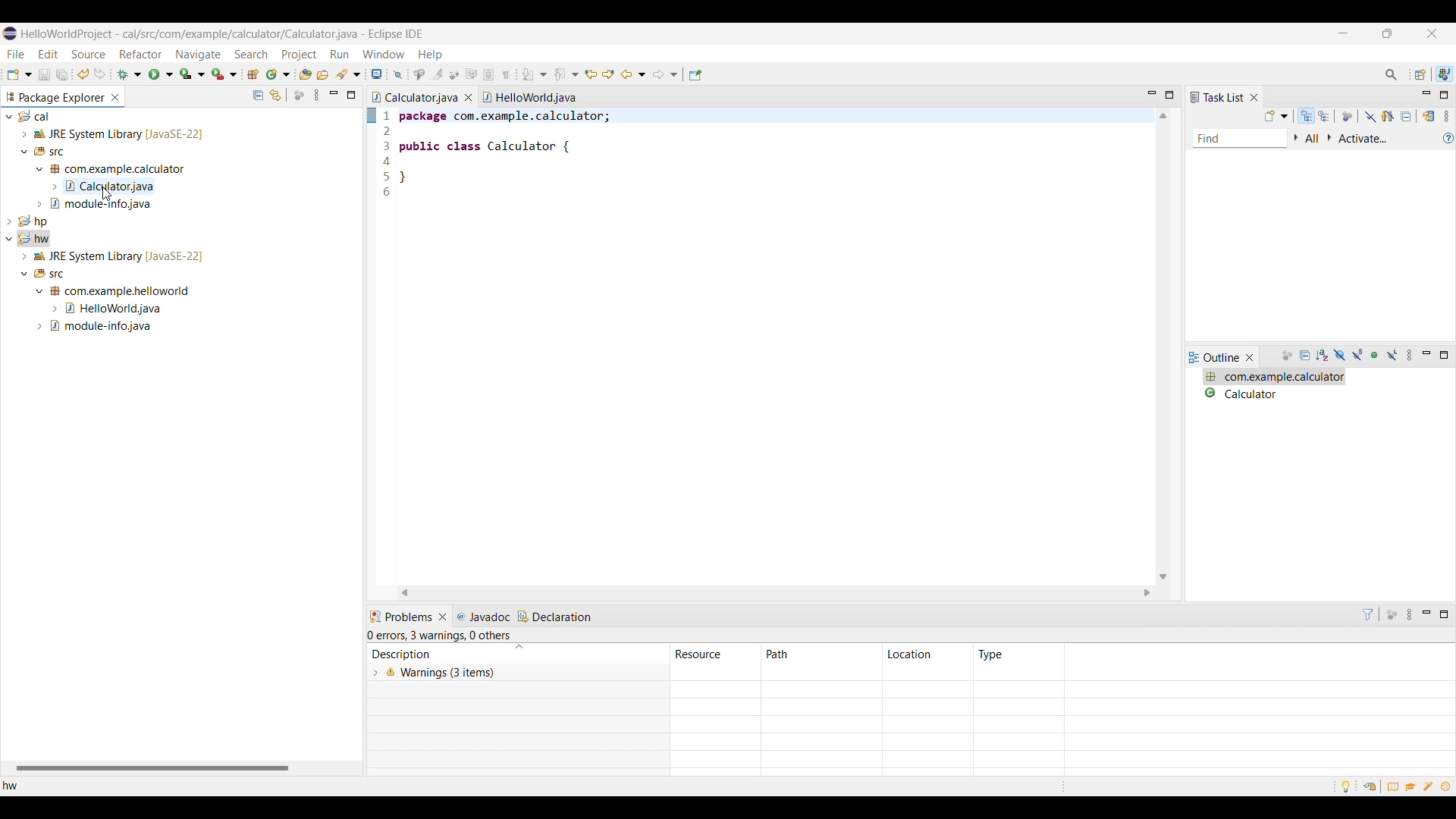 The height and width of the screenshot is (819, 1456). Describe the element at coordinates (306, 74) in the screenshot. I see `Open type` at that location.